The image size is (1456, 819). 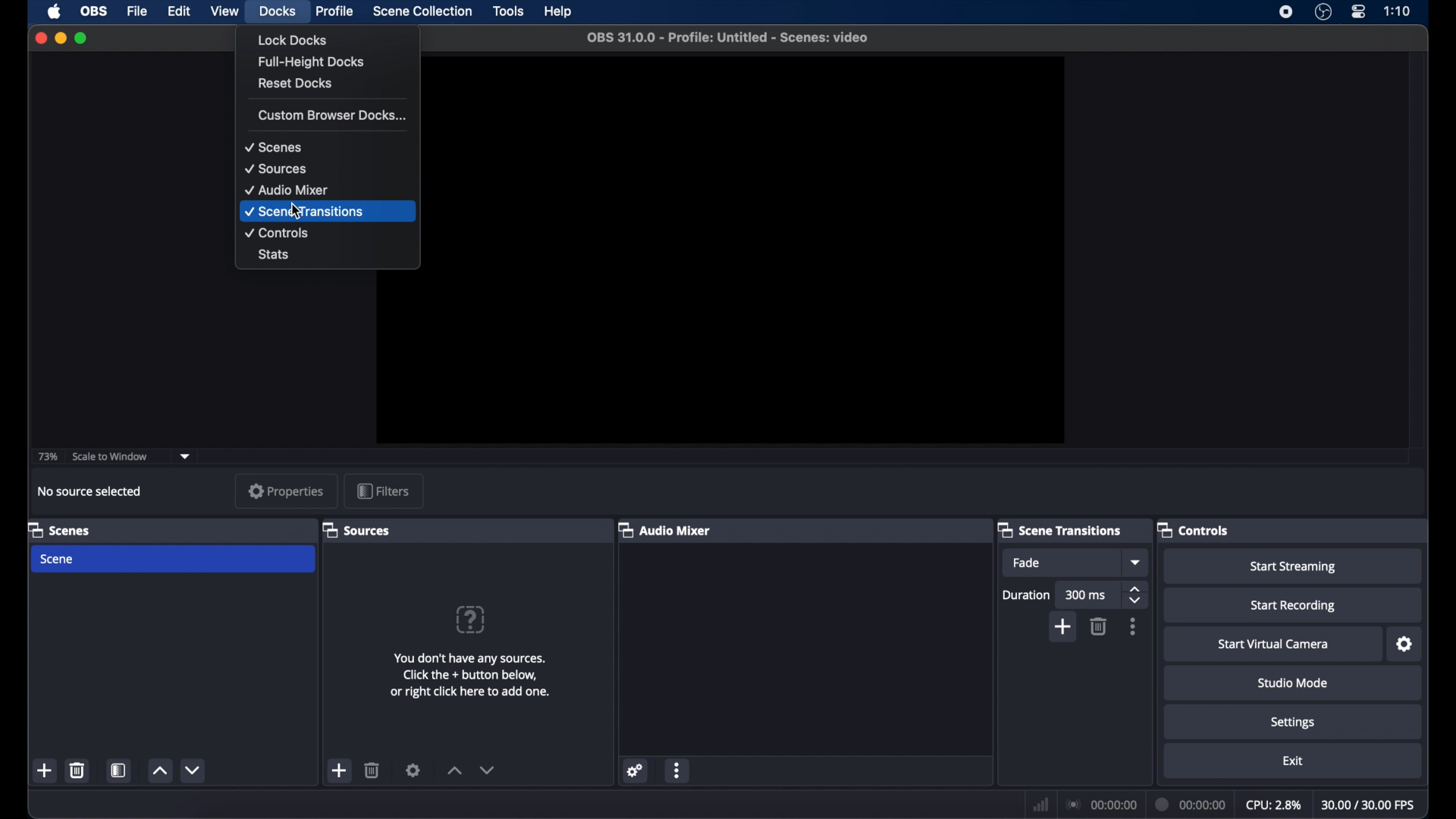 I want to click on file, so click(x=137, y=11).